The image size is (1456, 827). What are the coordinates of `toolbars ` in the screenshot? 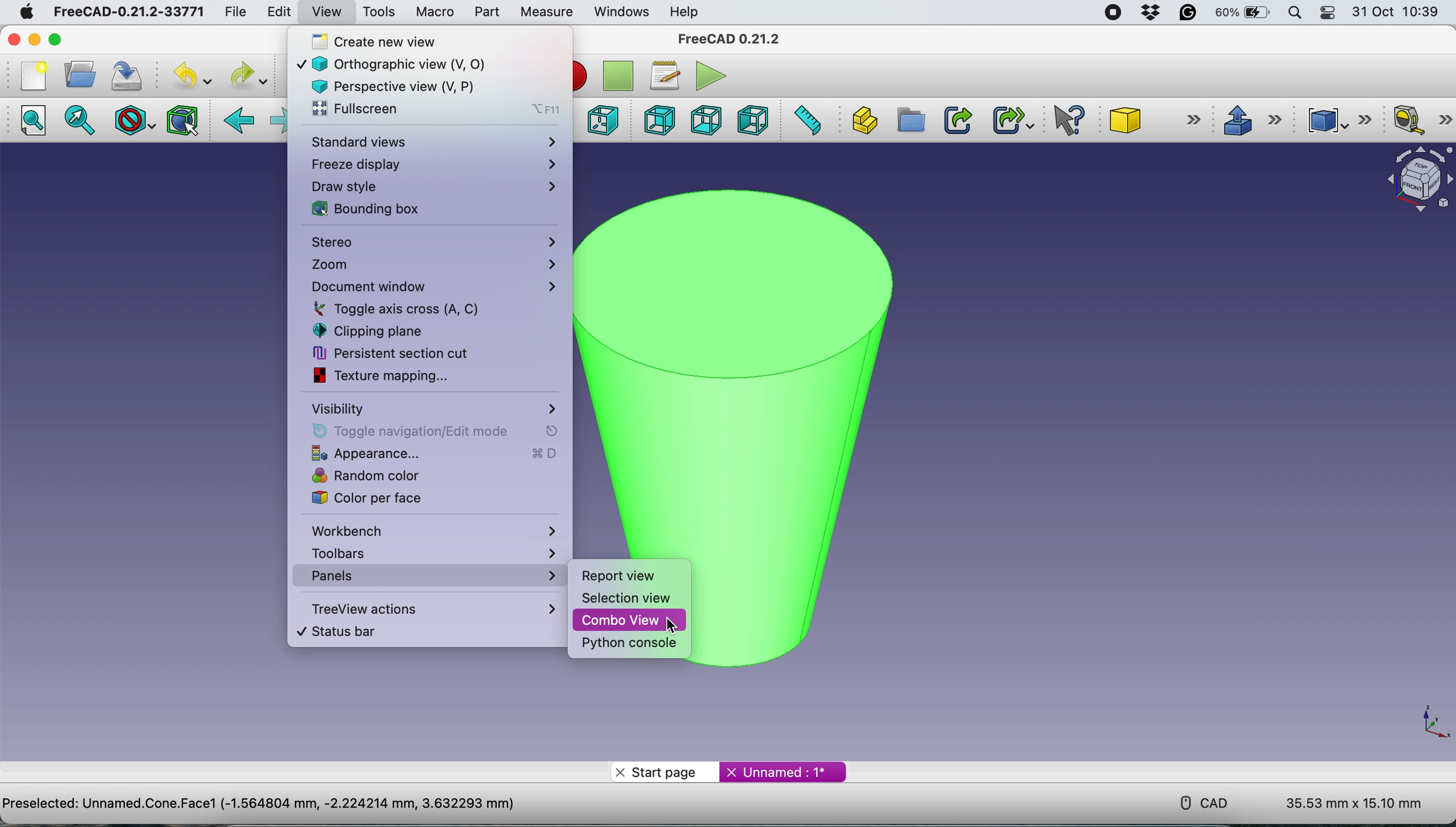 It's located at (431, 552).